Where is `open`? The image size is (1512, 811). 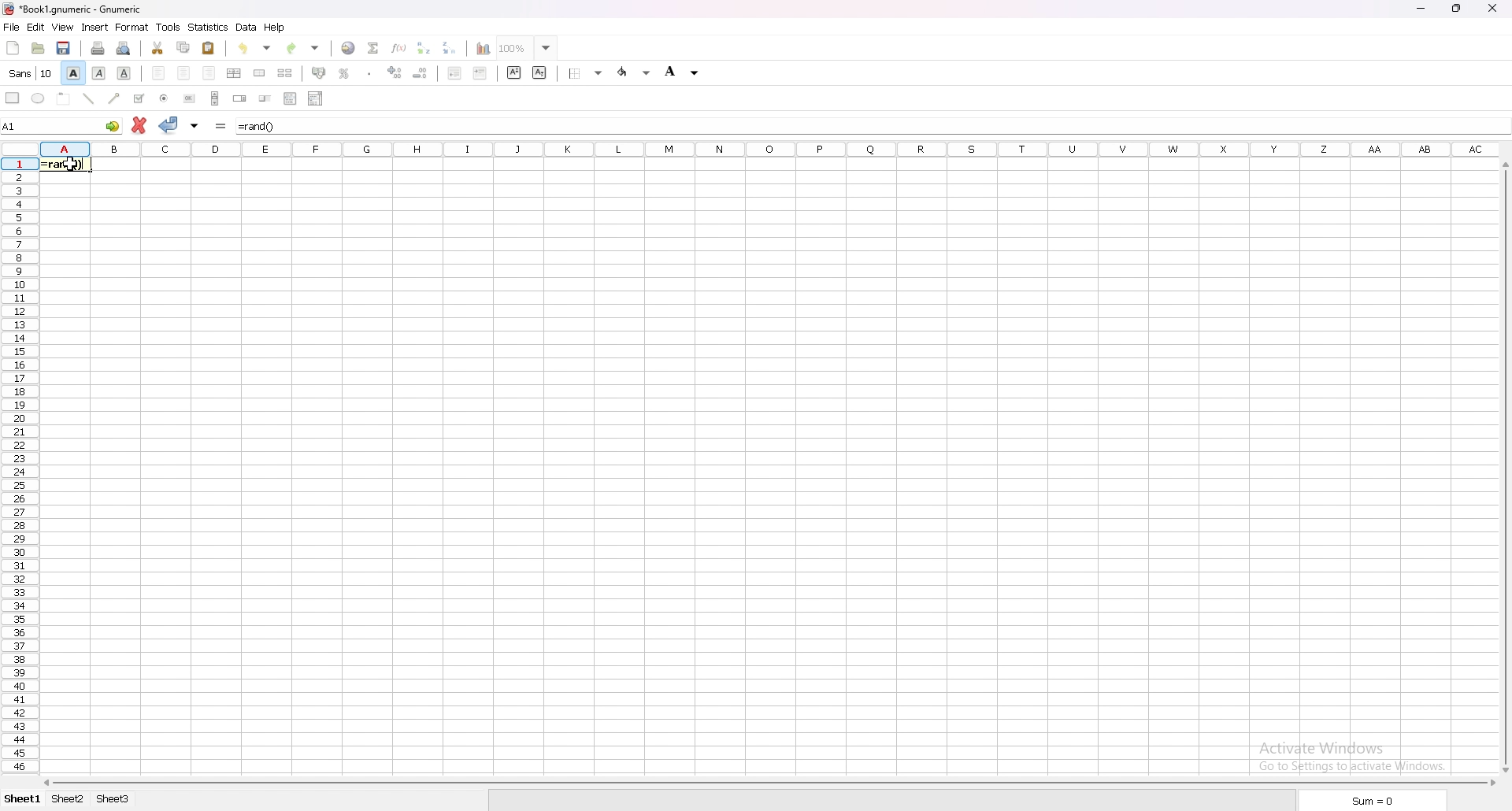
open is located at coordinates (39, 48).